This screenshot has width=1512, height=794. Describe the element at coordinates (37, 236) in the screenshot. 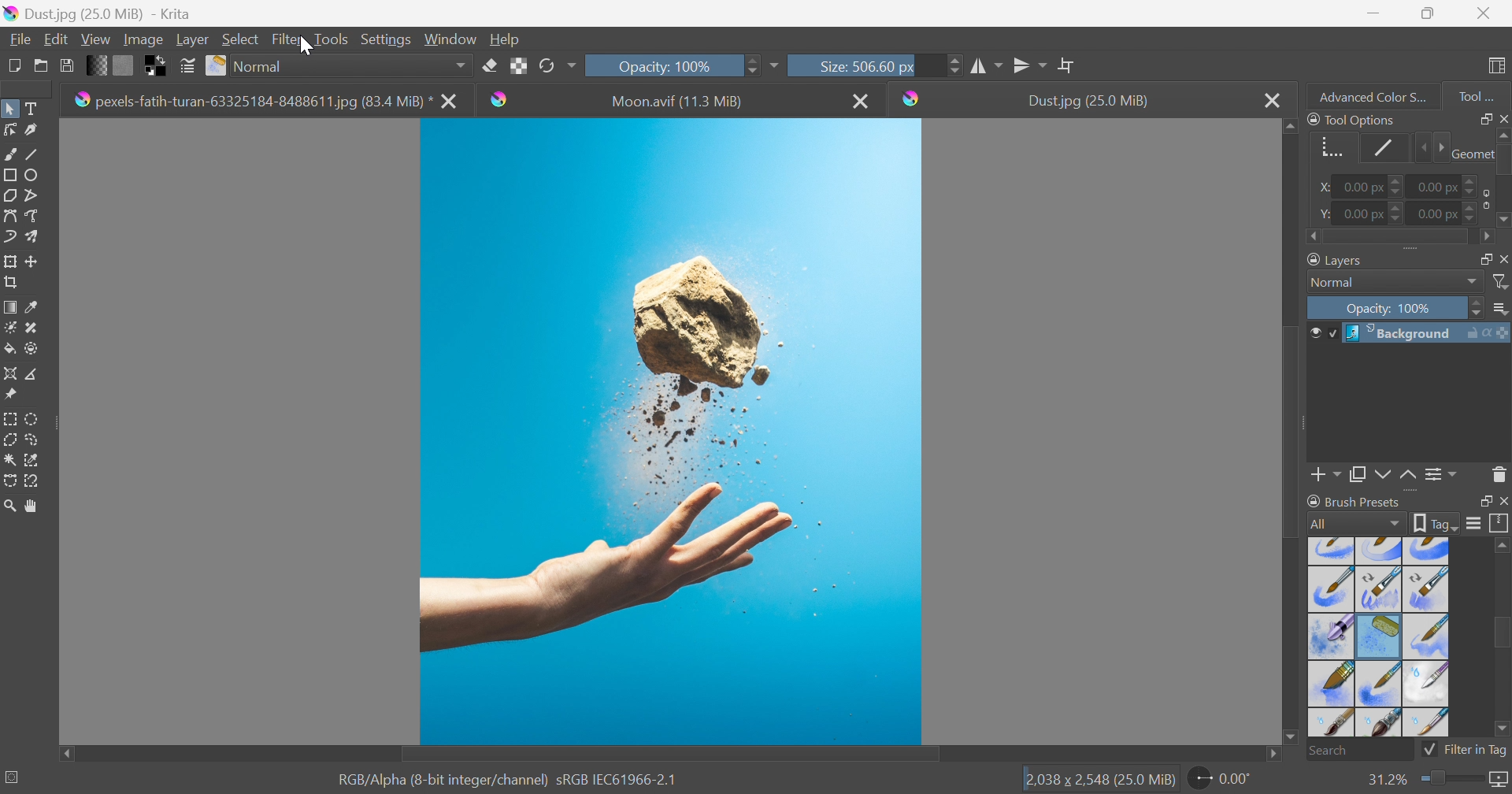

I see `Multibrush tool` at that location.